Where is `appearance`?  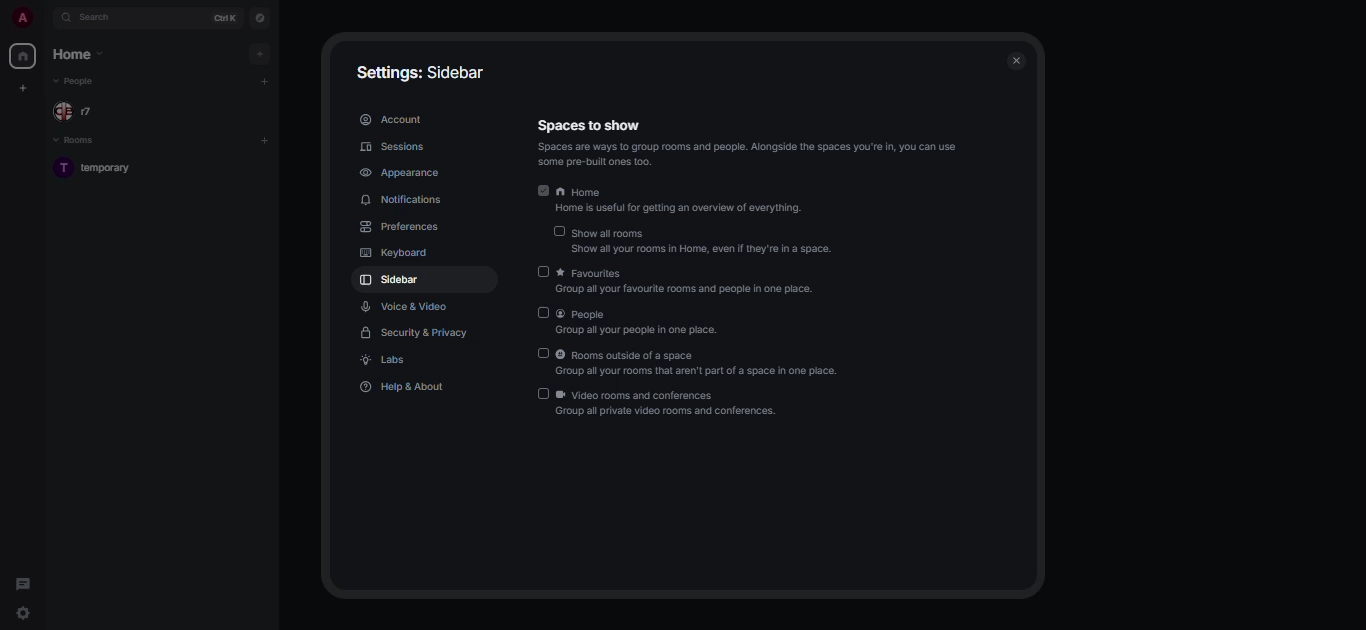
appearance is located at coordinates (403, 171).